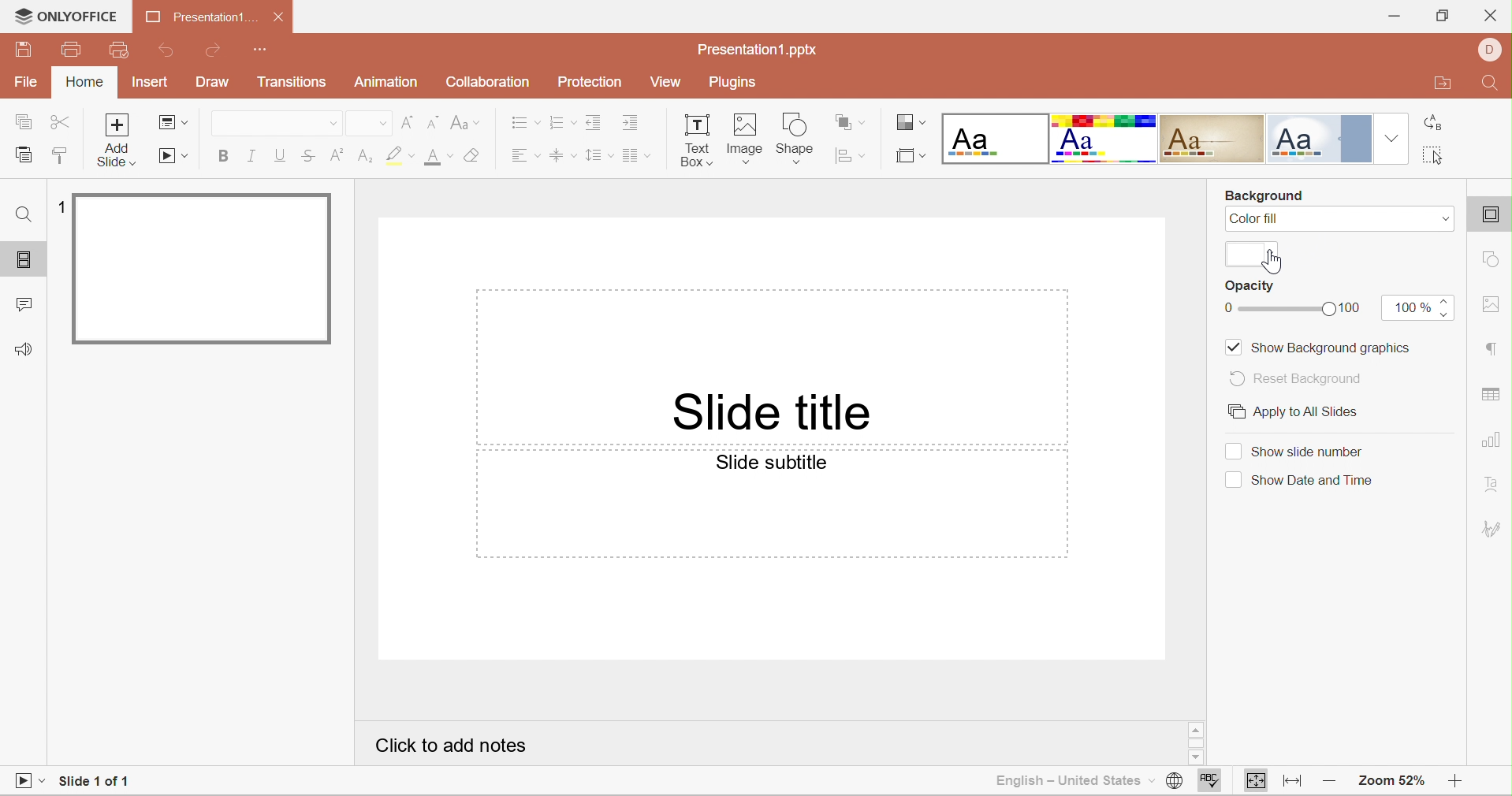 The image size is (1512, 796). What do you see at coordinates (734, 84) in the screenshot?
I see `Plugins` at bounding box center [734, 84].